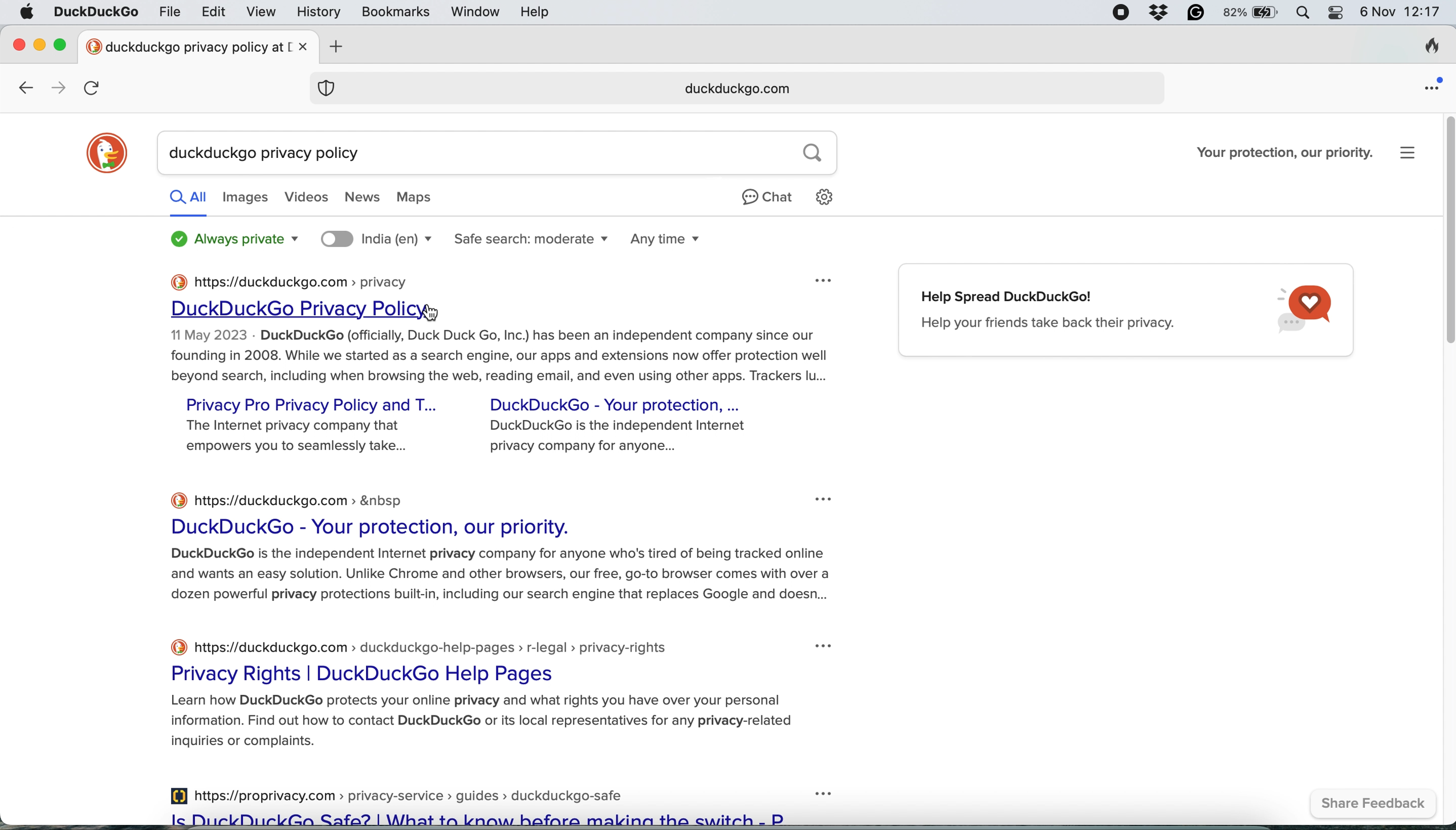 The height and width of the screenshot is (830, 1456). What do you see at coordinates (1304, 14) in the screenshot?
I see `spotlight search` at bounding box center [1304, 14].